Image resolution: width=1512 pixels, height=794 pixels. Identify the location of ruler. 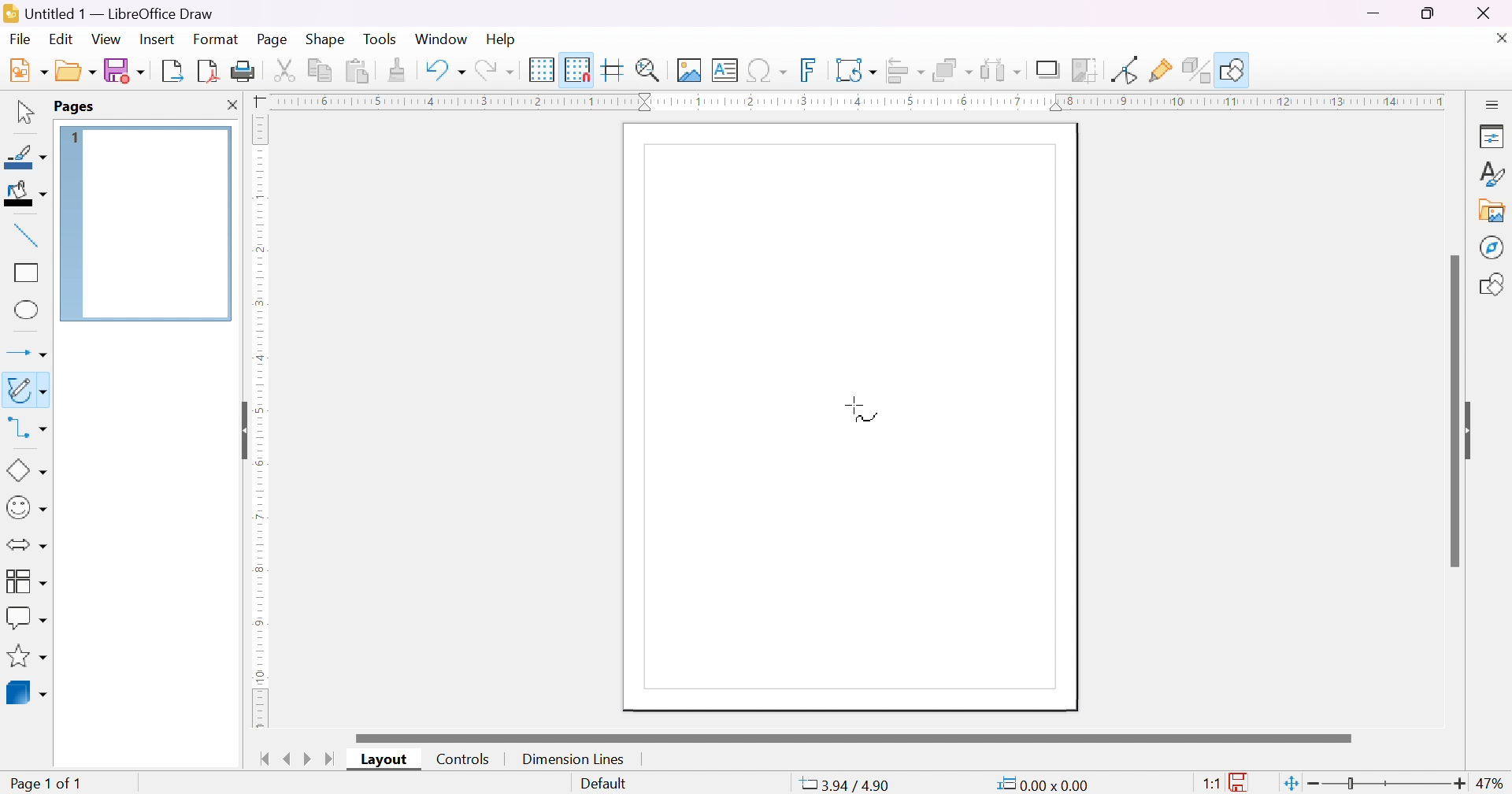
(855, 101).